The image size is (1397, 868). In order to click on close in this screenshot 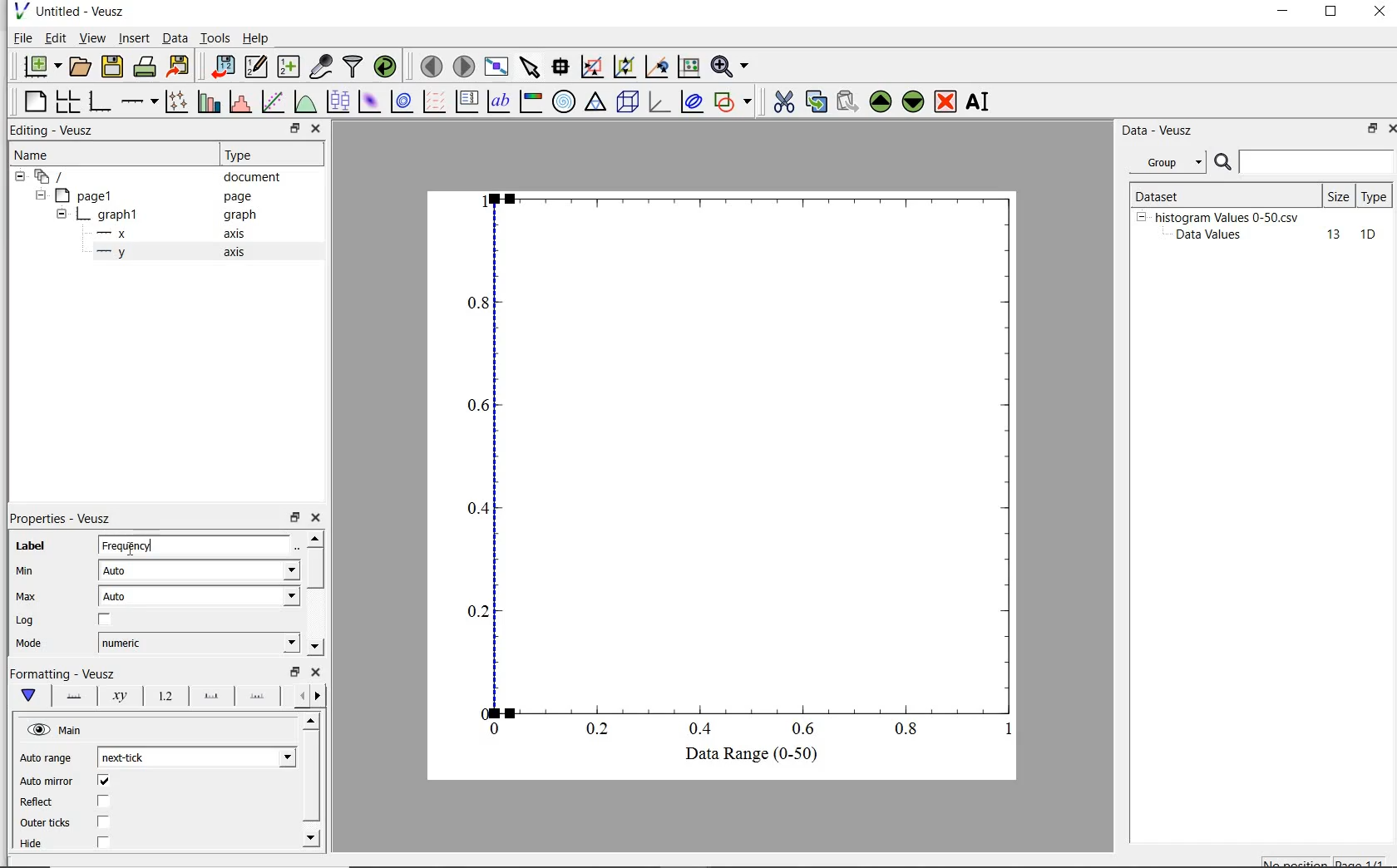, I will do `click(317, 129)`.